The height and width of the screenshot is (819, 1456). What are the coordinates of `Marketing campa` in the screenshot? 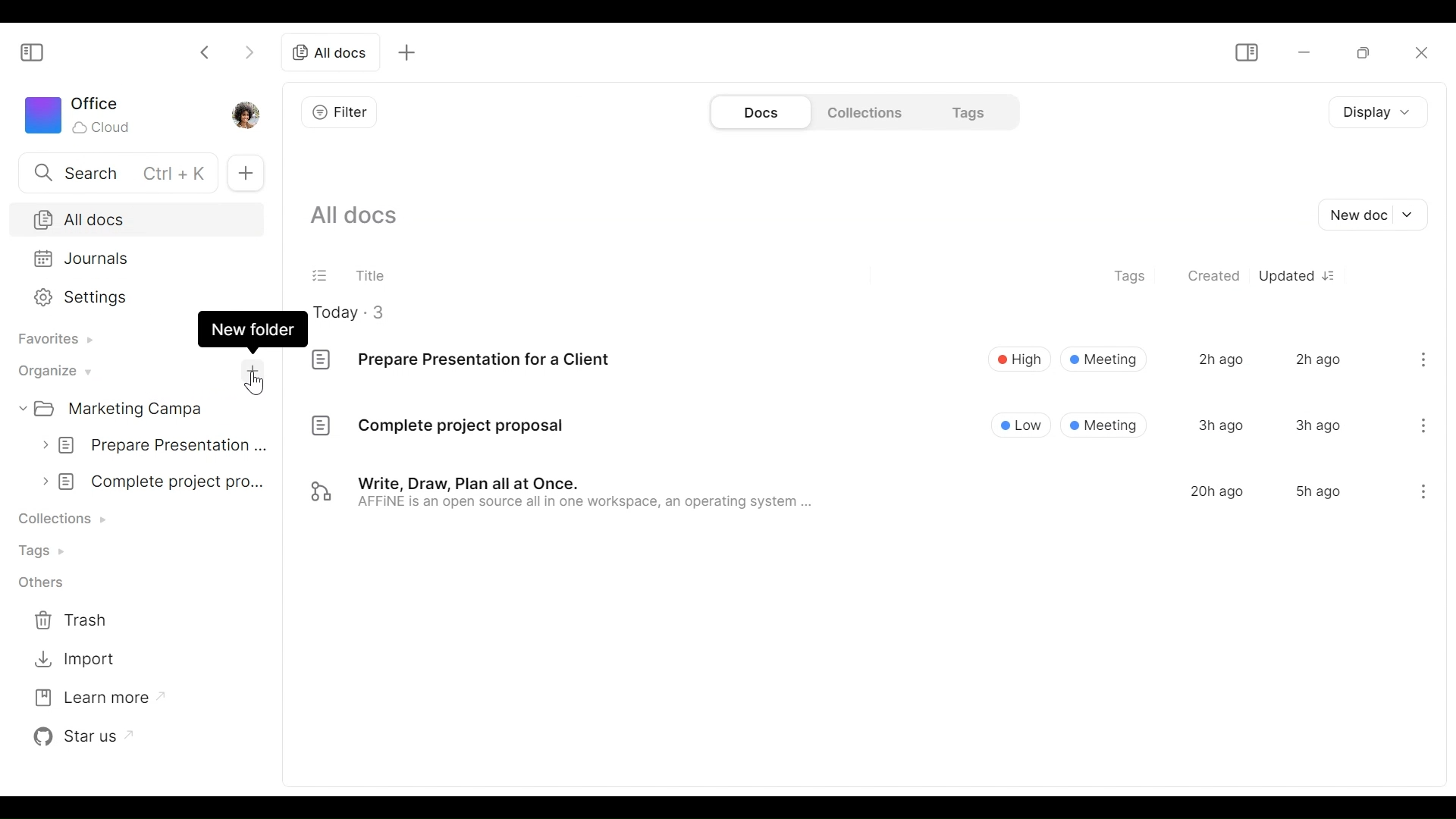 It's located at (128, 408).